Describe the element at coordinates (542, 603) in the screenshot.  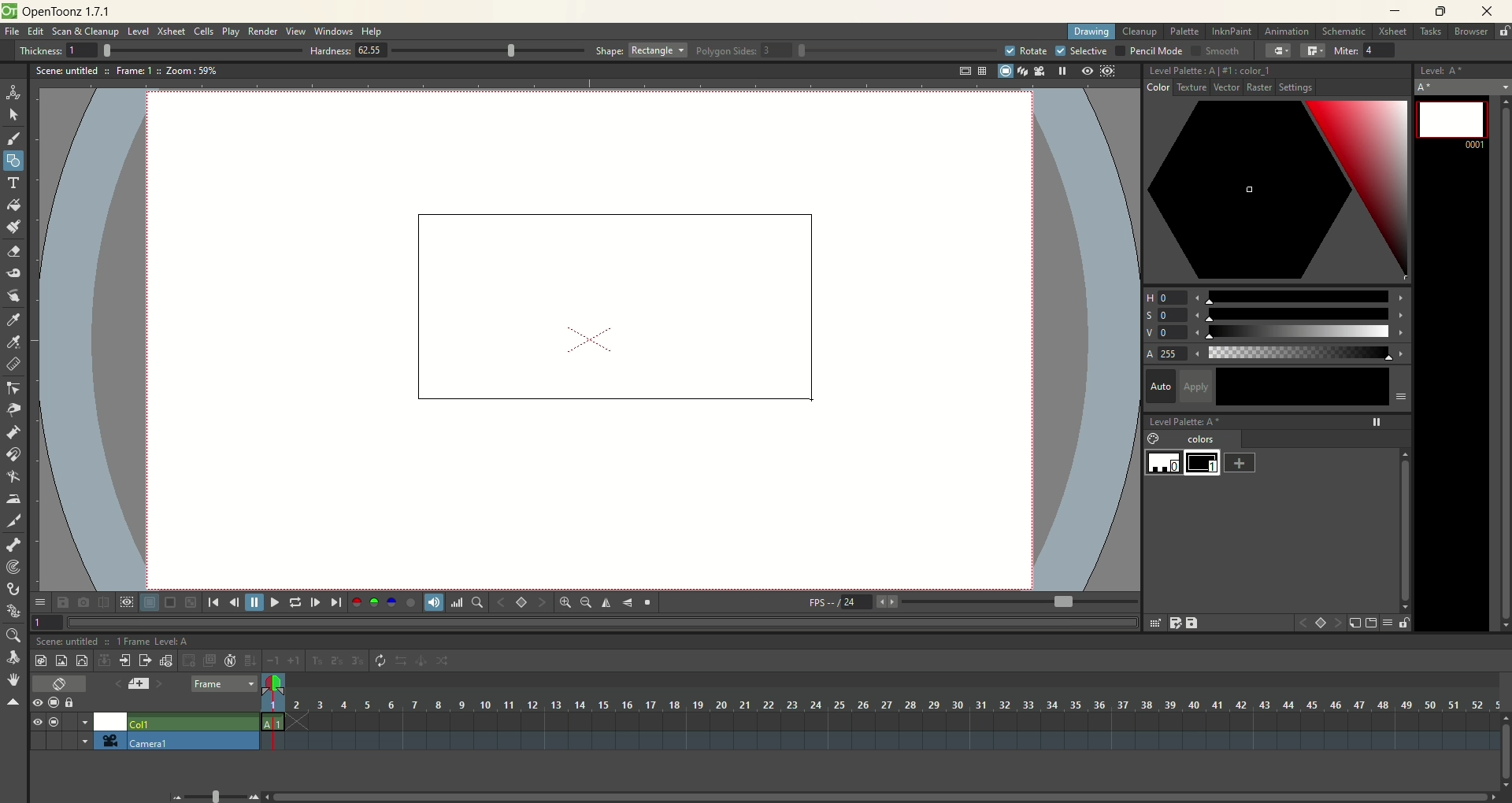
I see `next key` at that location.